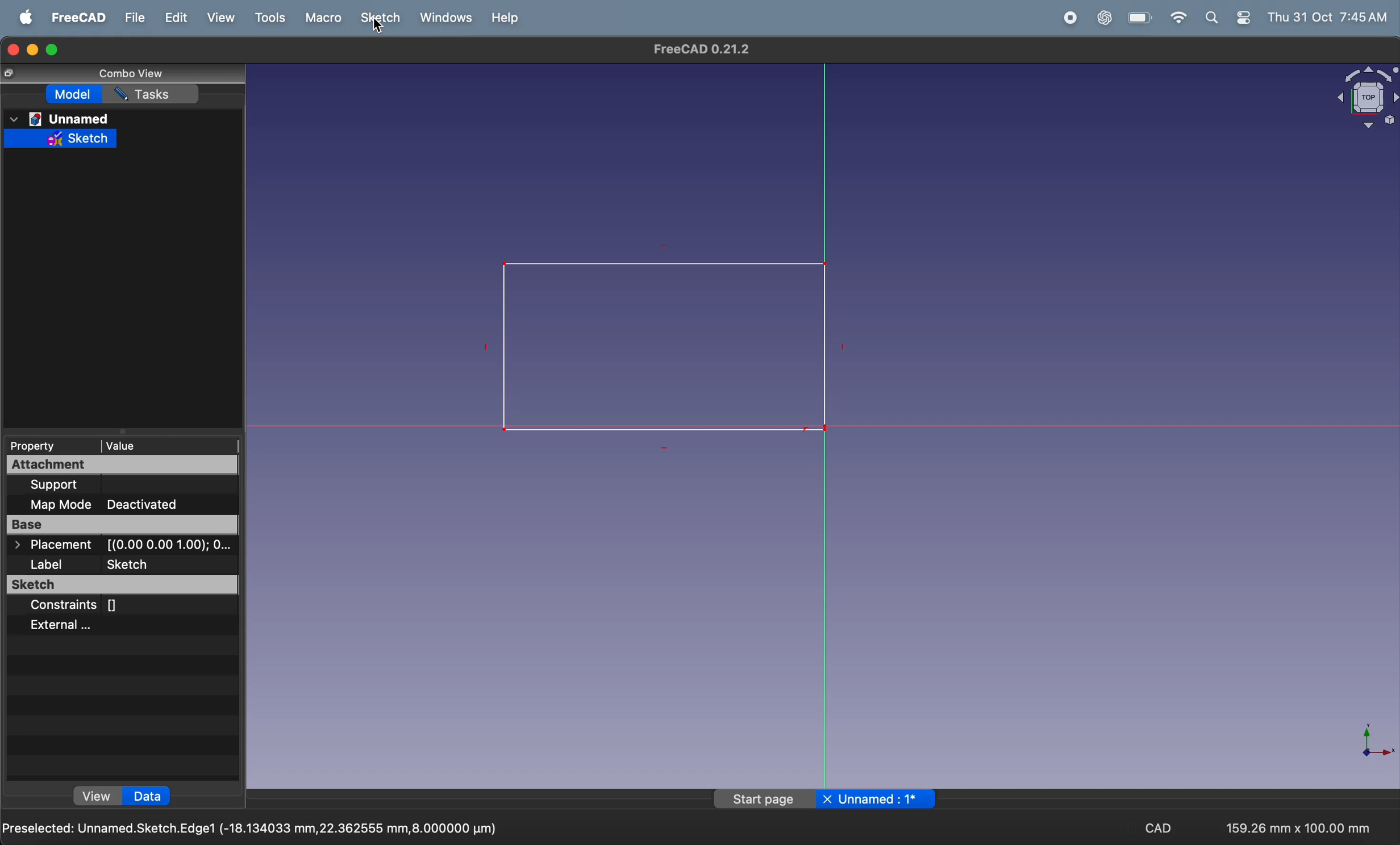  I want to click on combo view, so click(131, 73).